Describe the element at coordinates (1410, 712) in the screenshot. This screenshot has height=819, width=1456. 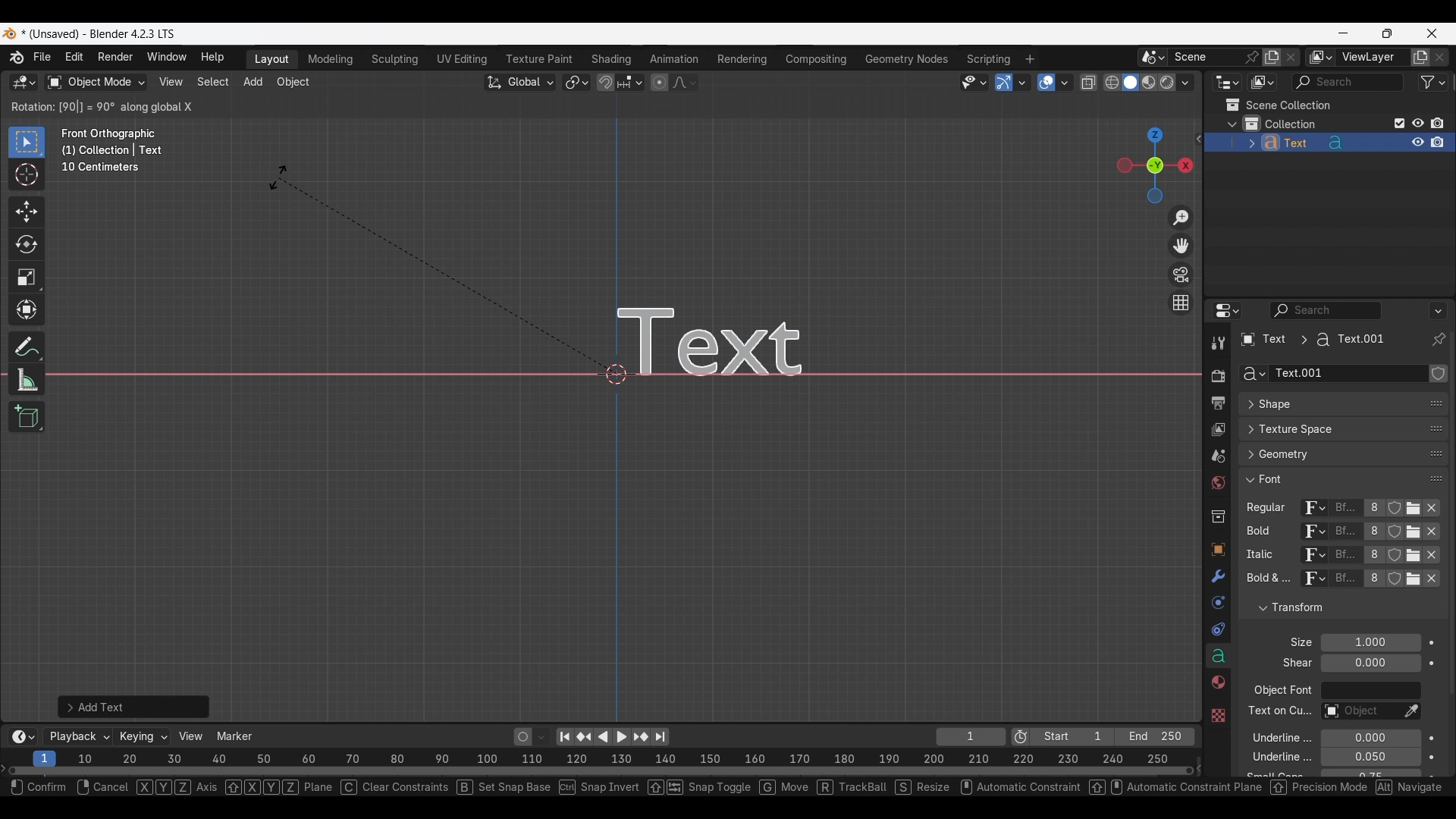
I see `Eyedropper data-block` at that location.